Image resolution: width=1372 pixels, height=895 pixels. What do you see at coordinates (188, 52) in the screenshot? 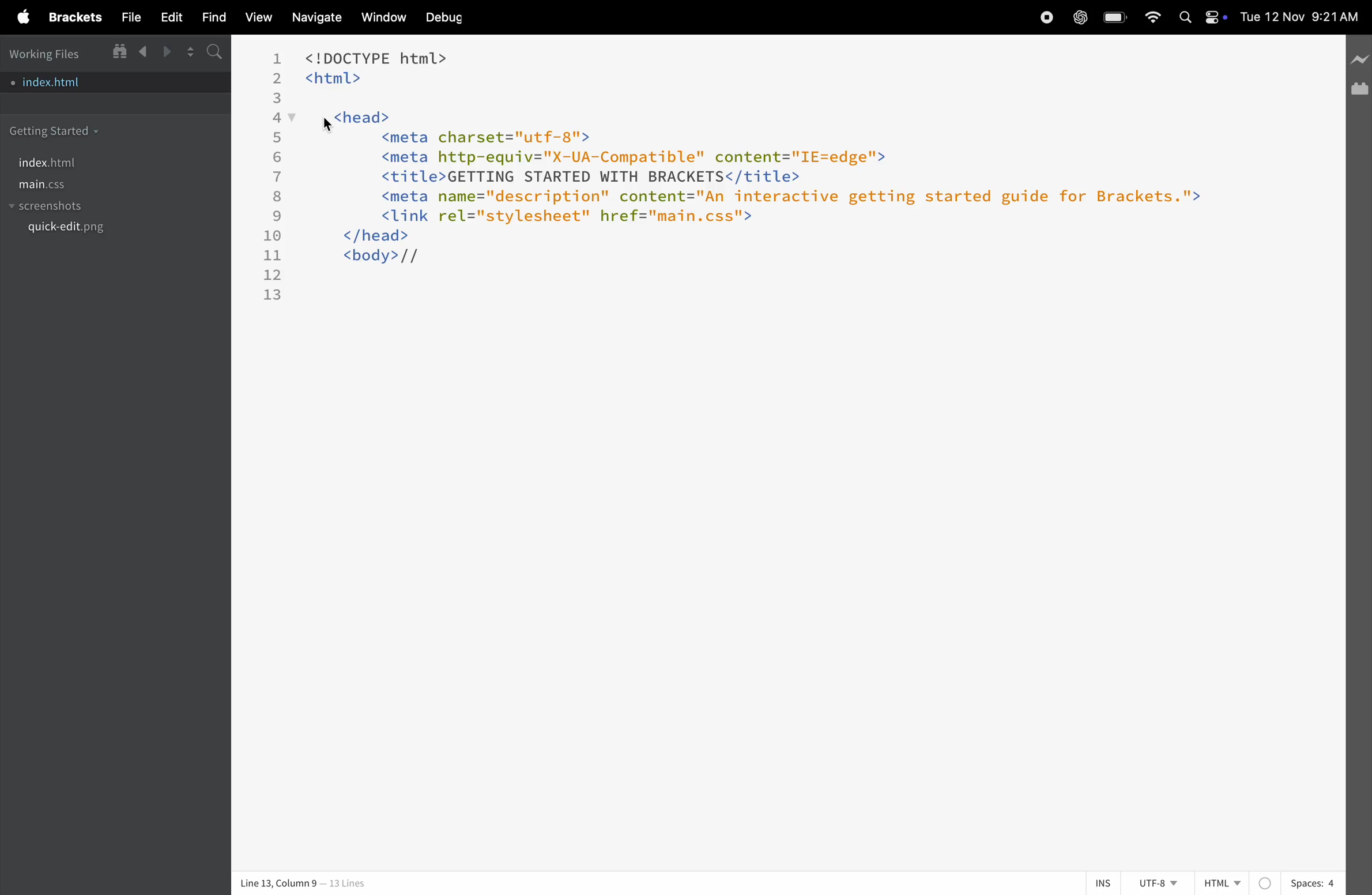
I see `split editor` at bounding box center [188, 52].